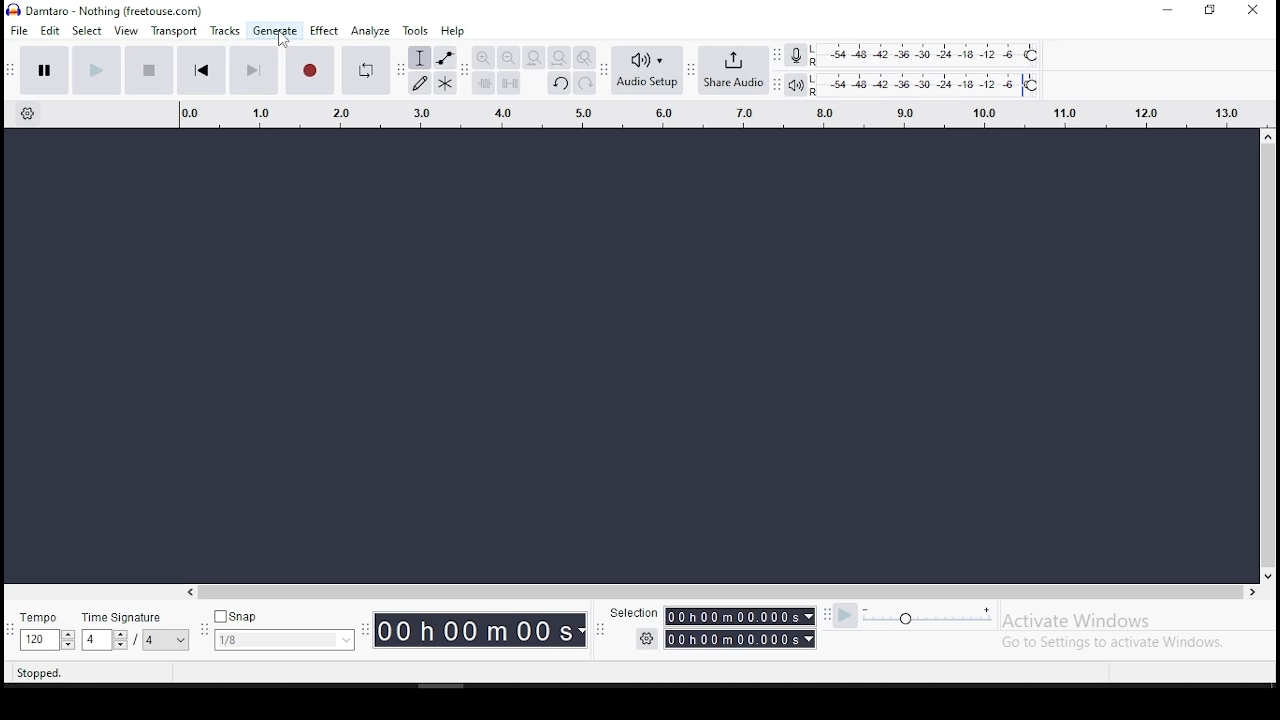 The image size is (1280, 720). What do you see at coordinates (112, 11) in the screenshot?
I see `icon and file name` at bounding box center [112, 11].